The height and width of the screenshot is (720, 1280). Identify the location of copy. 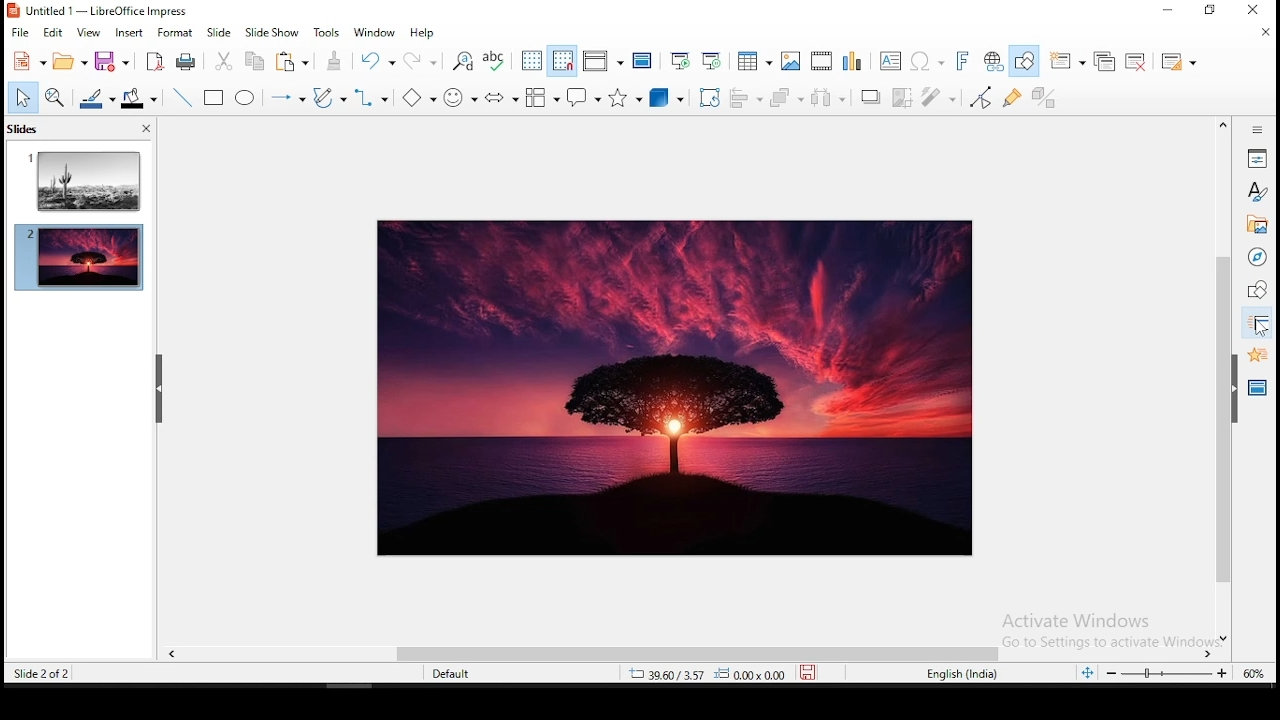
(251, 62).